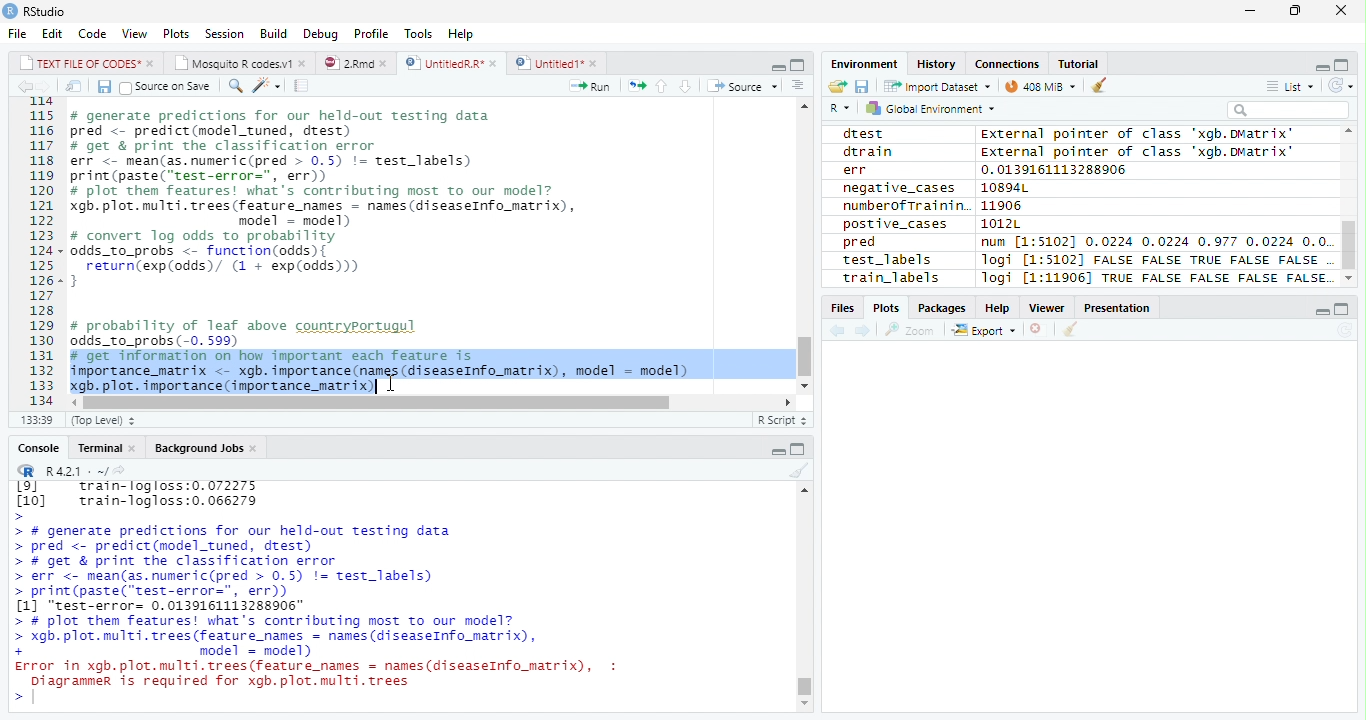 Image resolution: width=1366 pixels, height=720 pixels. Describe the element at coordinates (900, 188) in the screenshot. I see `negative_cases` at that location.